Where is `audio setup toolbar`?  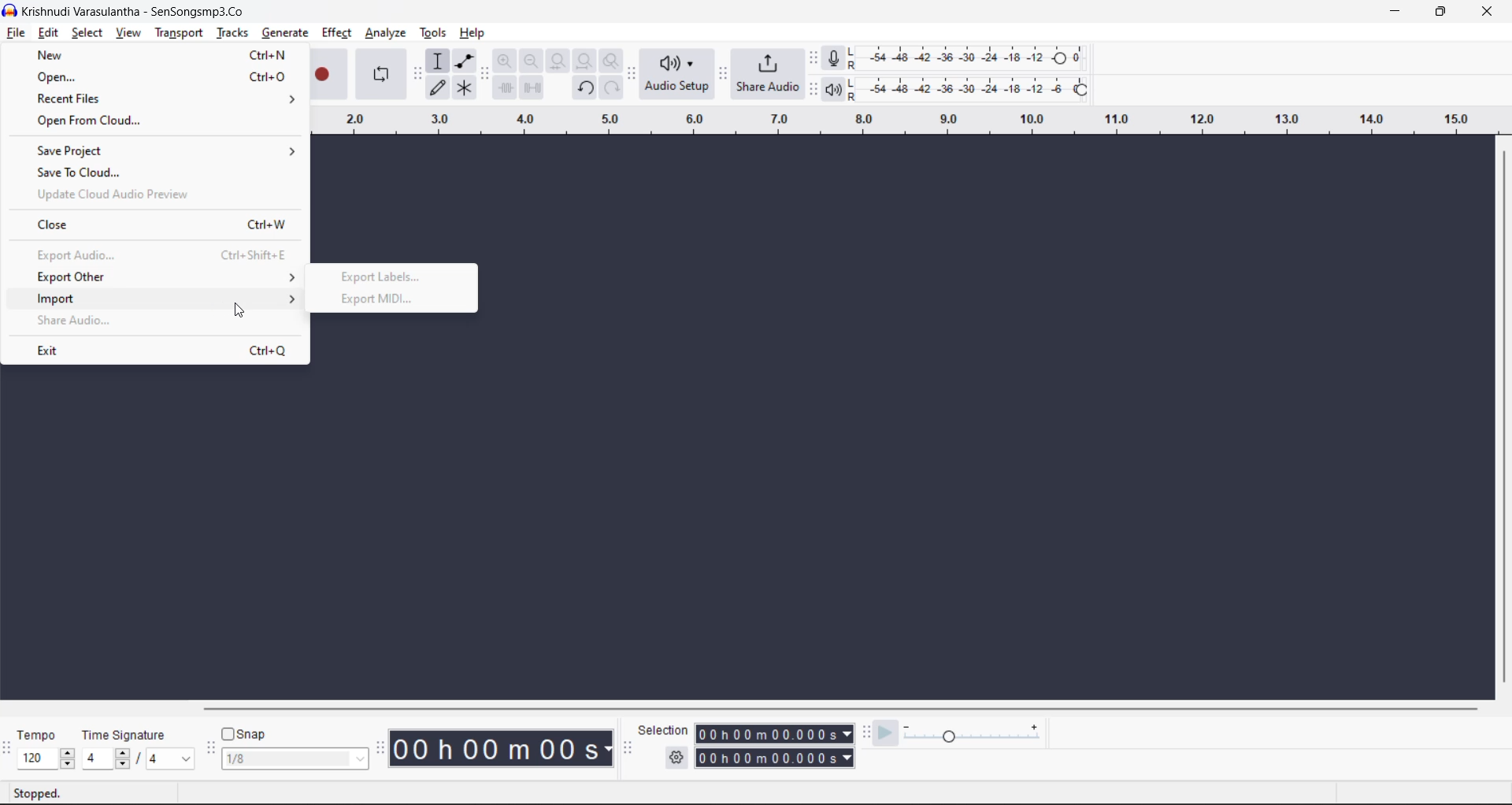
audio setup toolbar is located at coordinates (632, 75).